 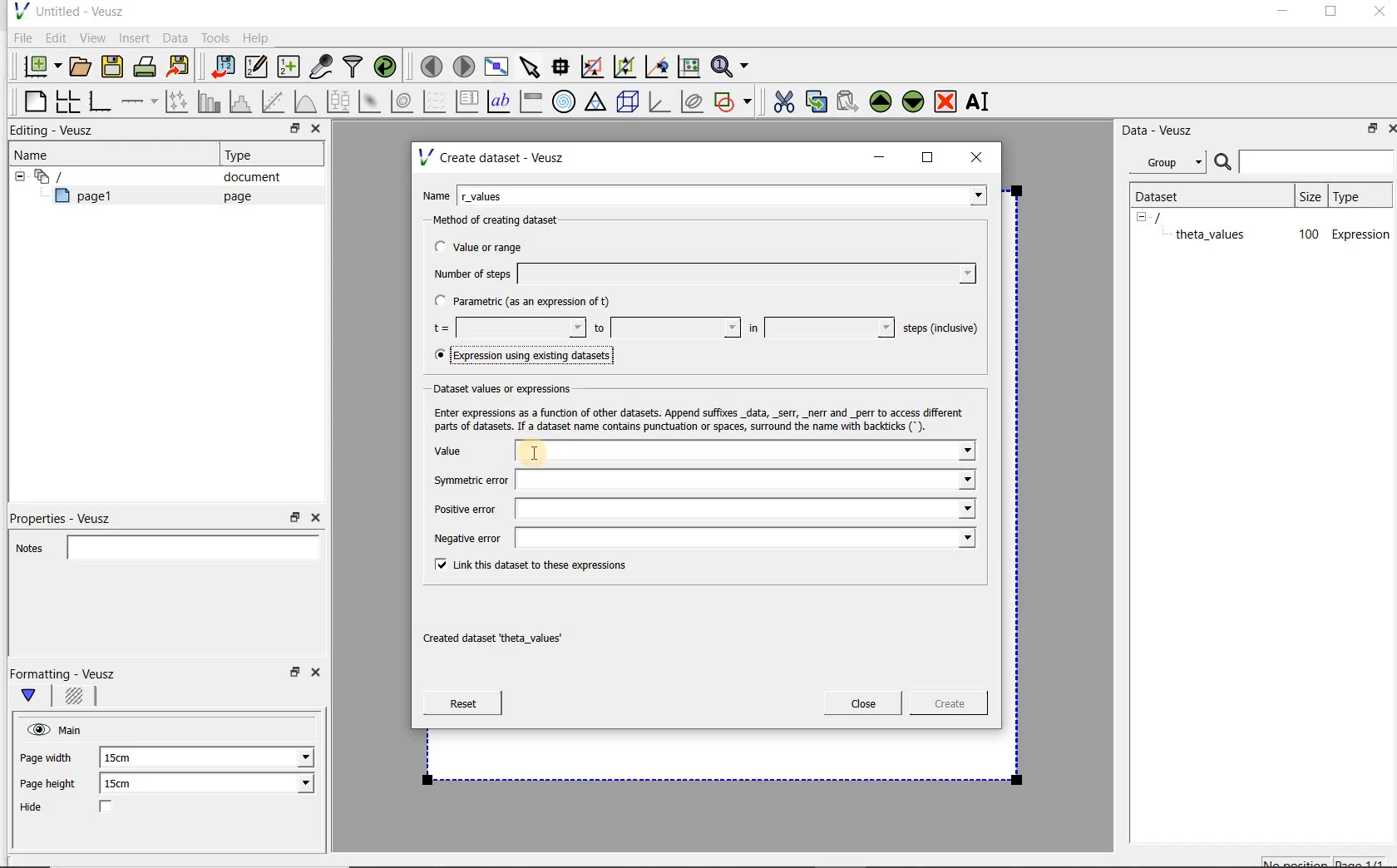 What do you see at coordinates (516, 387) in the screenshot?
I see `Dataset values or expressions` at bounding box center [516, 387].